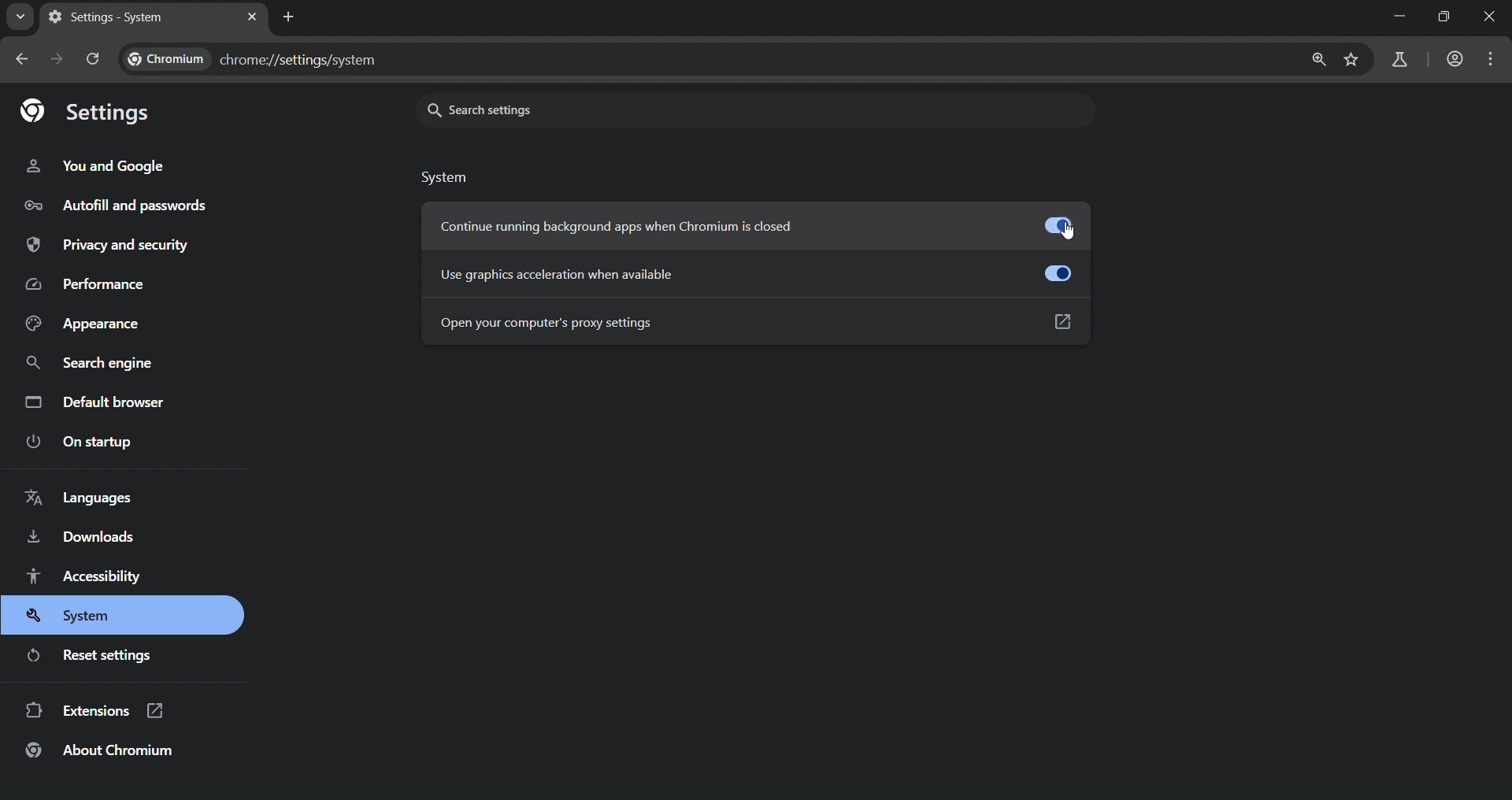 The width and height of the screenshot is (1512, 800). Describe the element at coordinates (115, 207) in the screenshot. I see `autofill and passwords` at that location.